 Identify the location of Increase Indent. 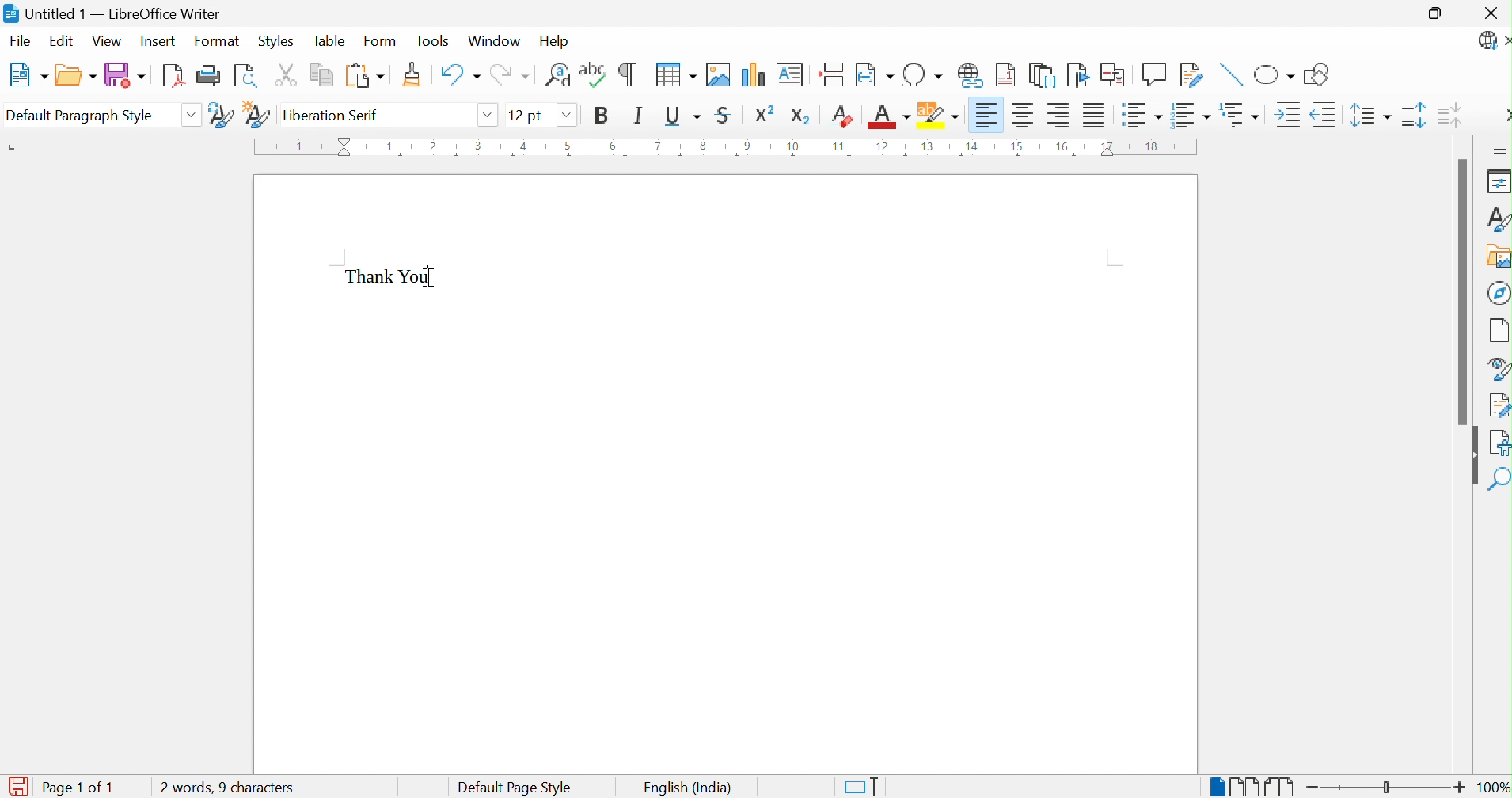
(1286, 115).